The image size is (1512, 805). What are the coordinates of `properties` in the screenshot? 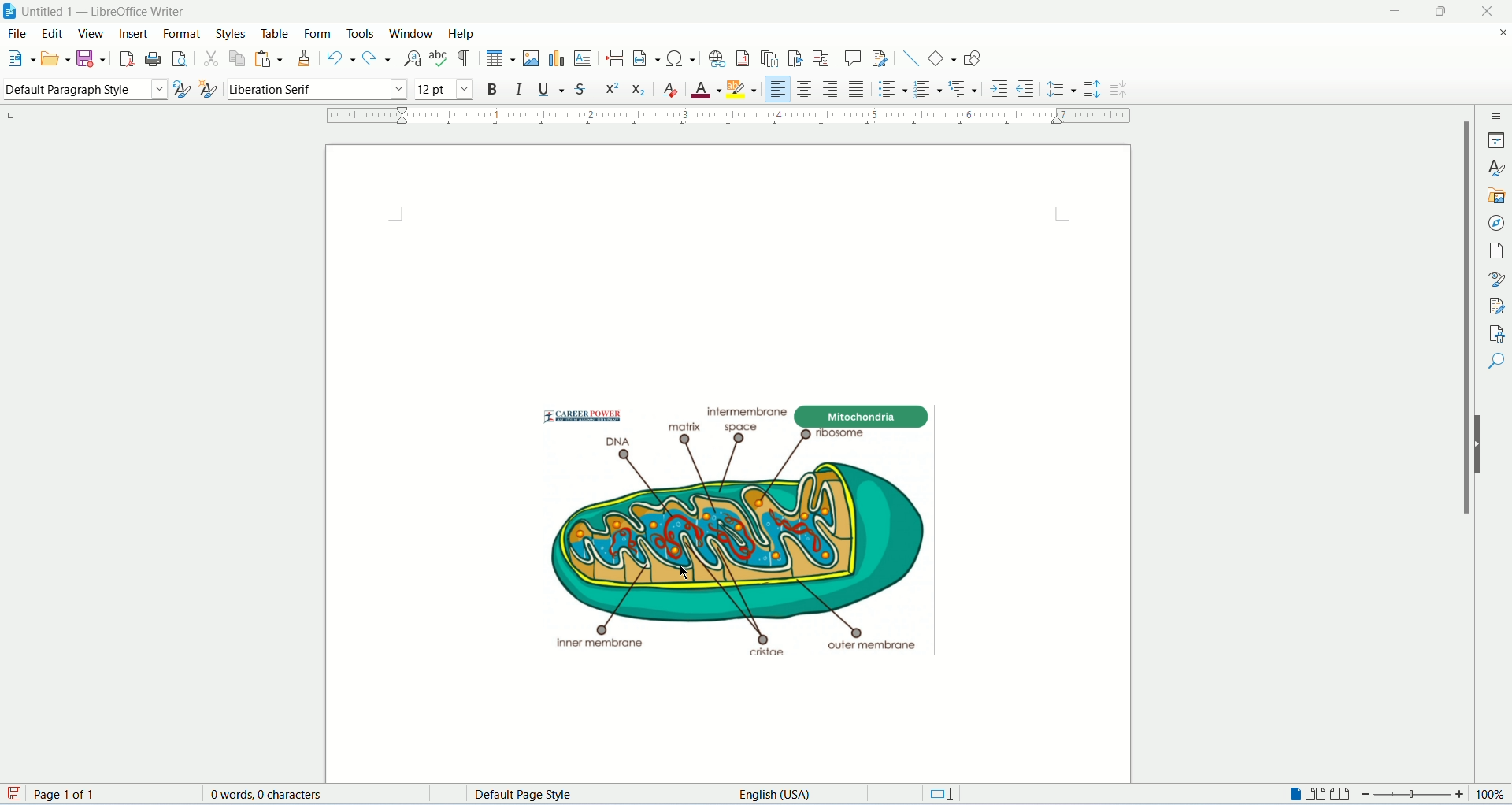 It's located at (1496, 140).